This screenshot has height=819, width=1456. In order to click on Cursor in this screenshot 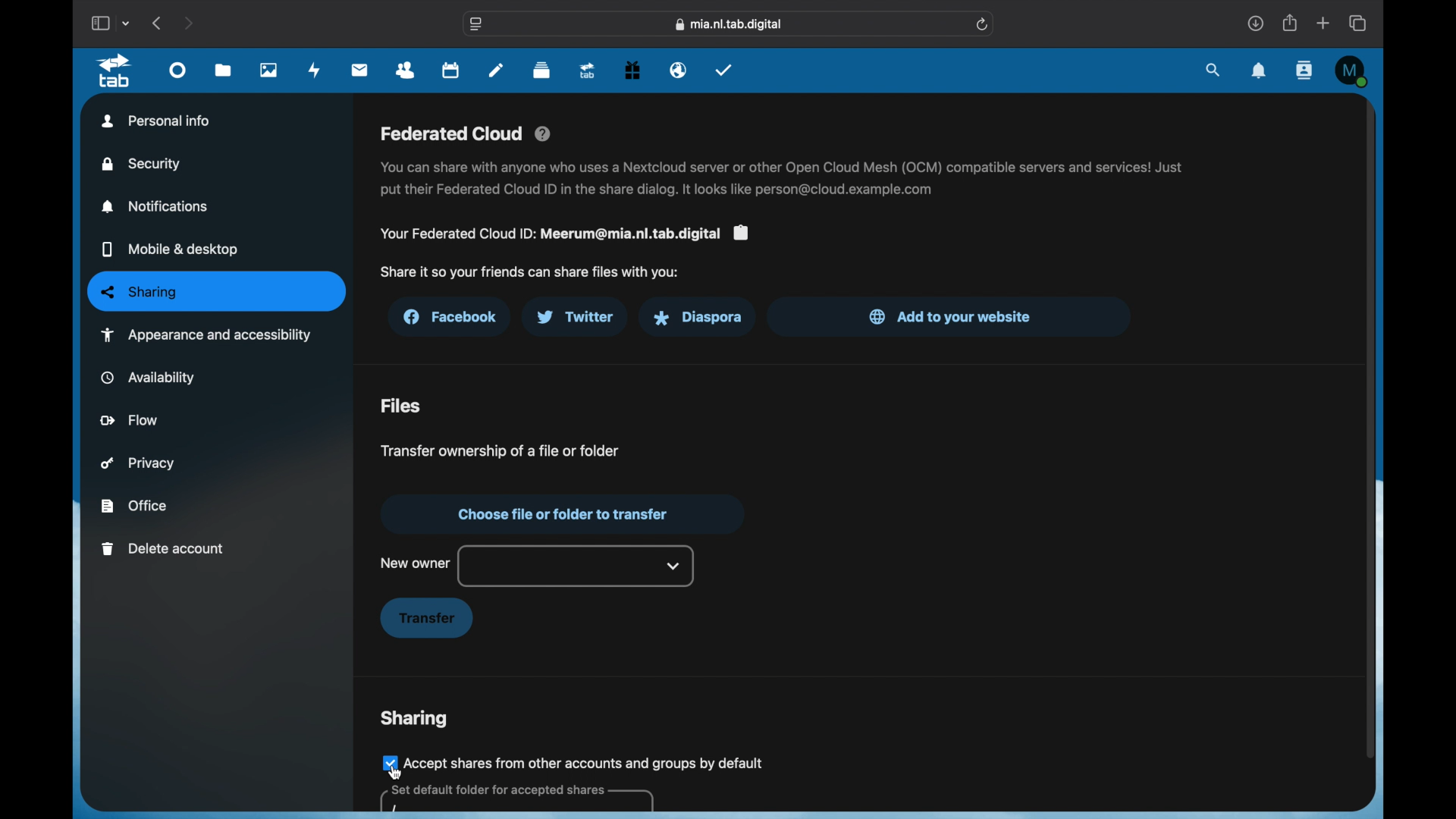, I will do `click(395, 773)`.